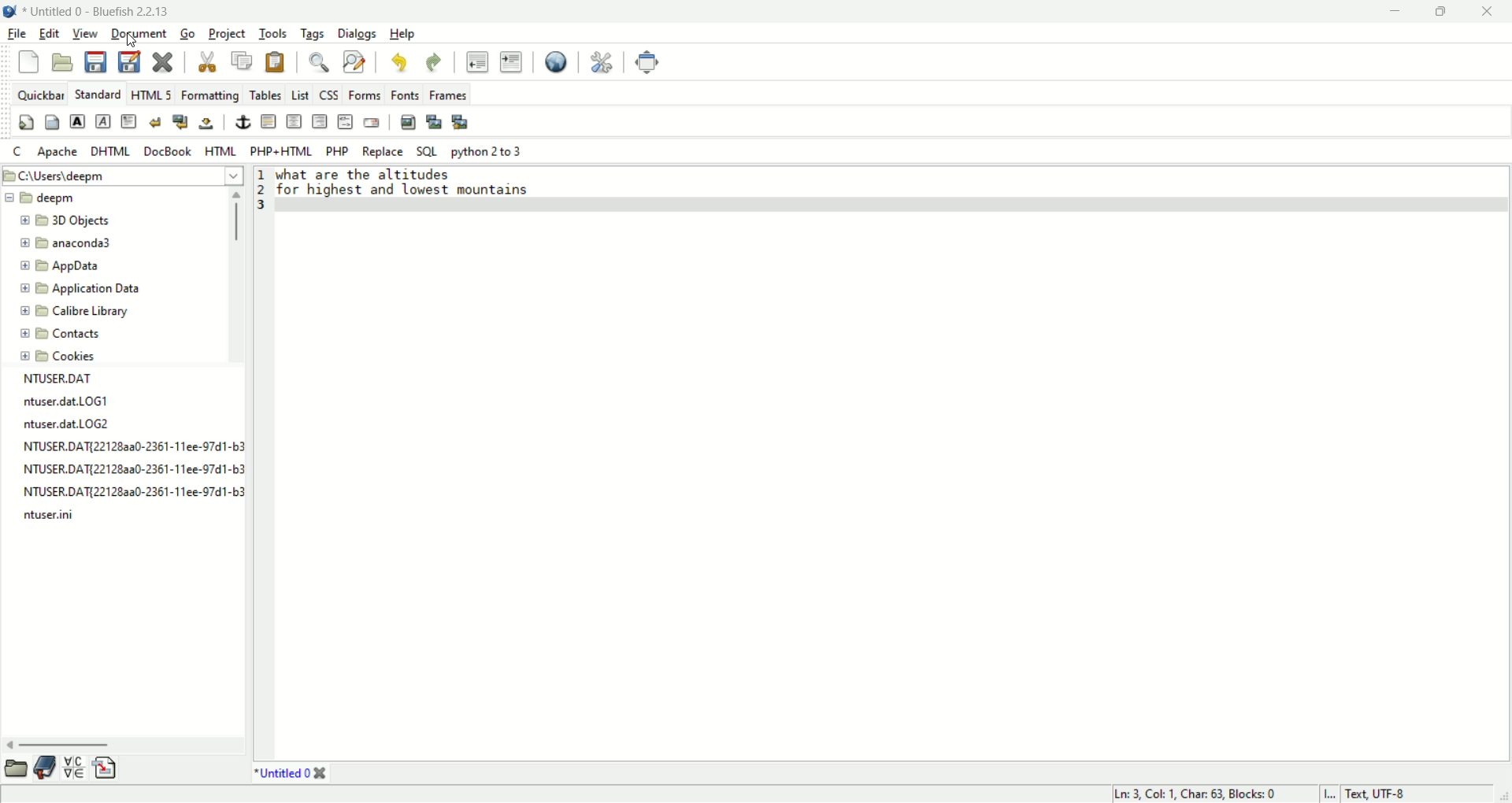 The height and width of the screenshot is (803, 1512). Describe the element at coordinates (265, 94) in the screenshot. I see `tables` at that location.